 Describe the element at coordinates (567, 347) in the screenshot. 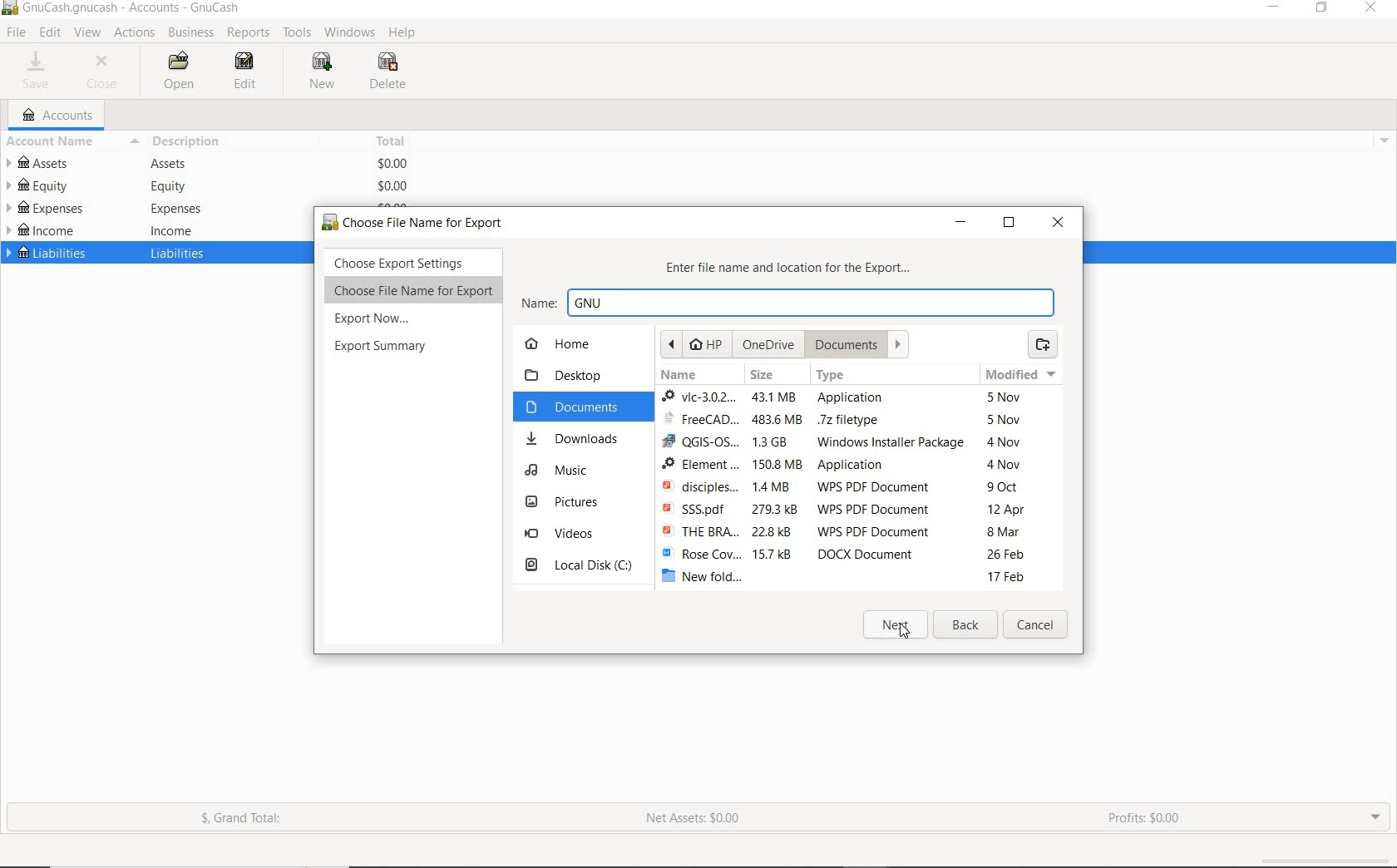

I see `home` at that location.